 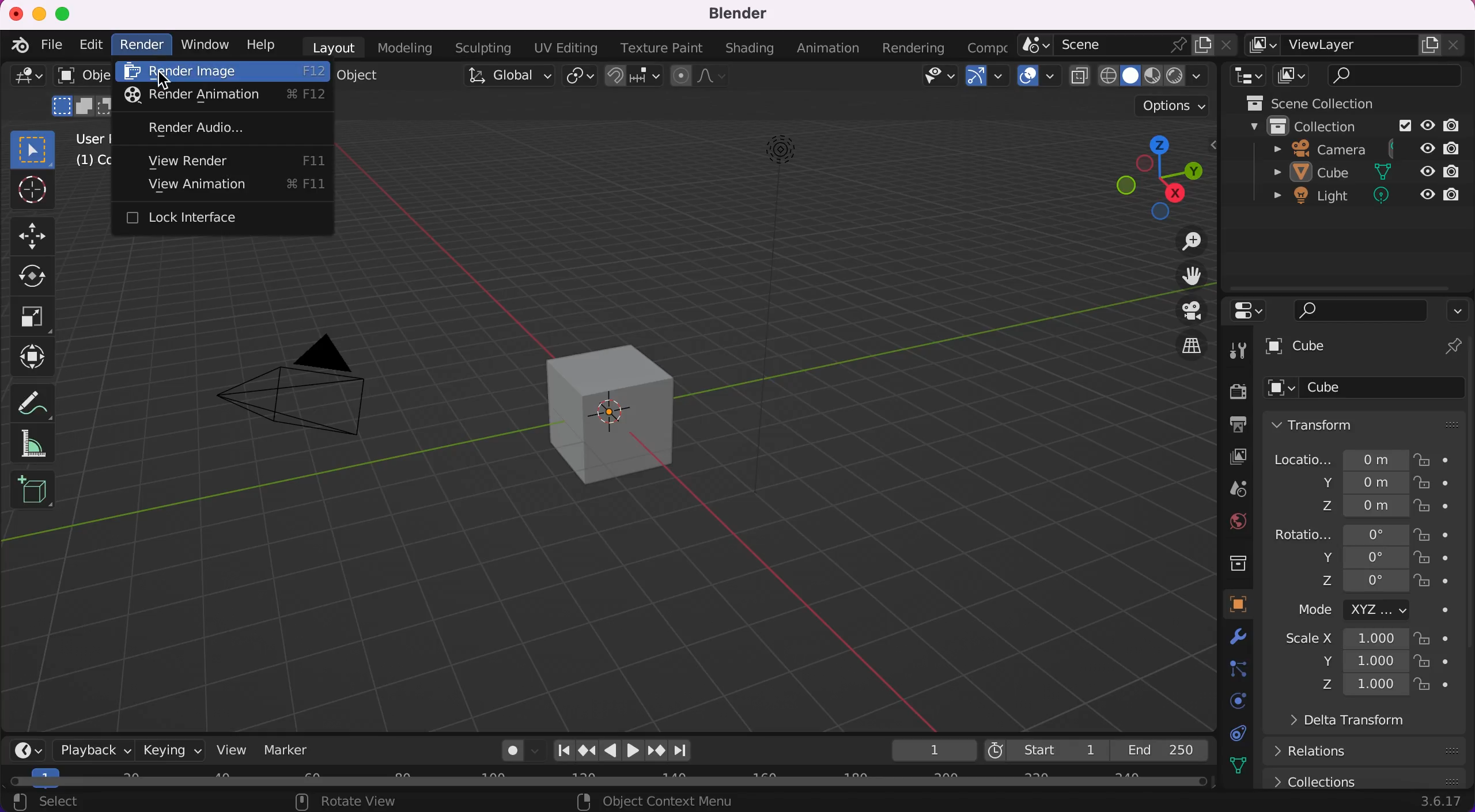 I want to click on hide in viewport, so click(x=1427, y=191).